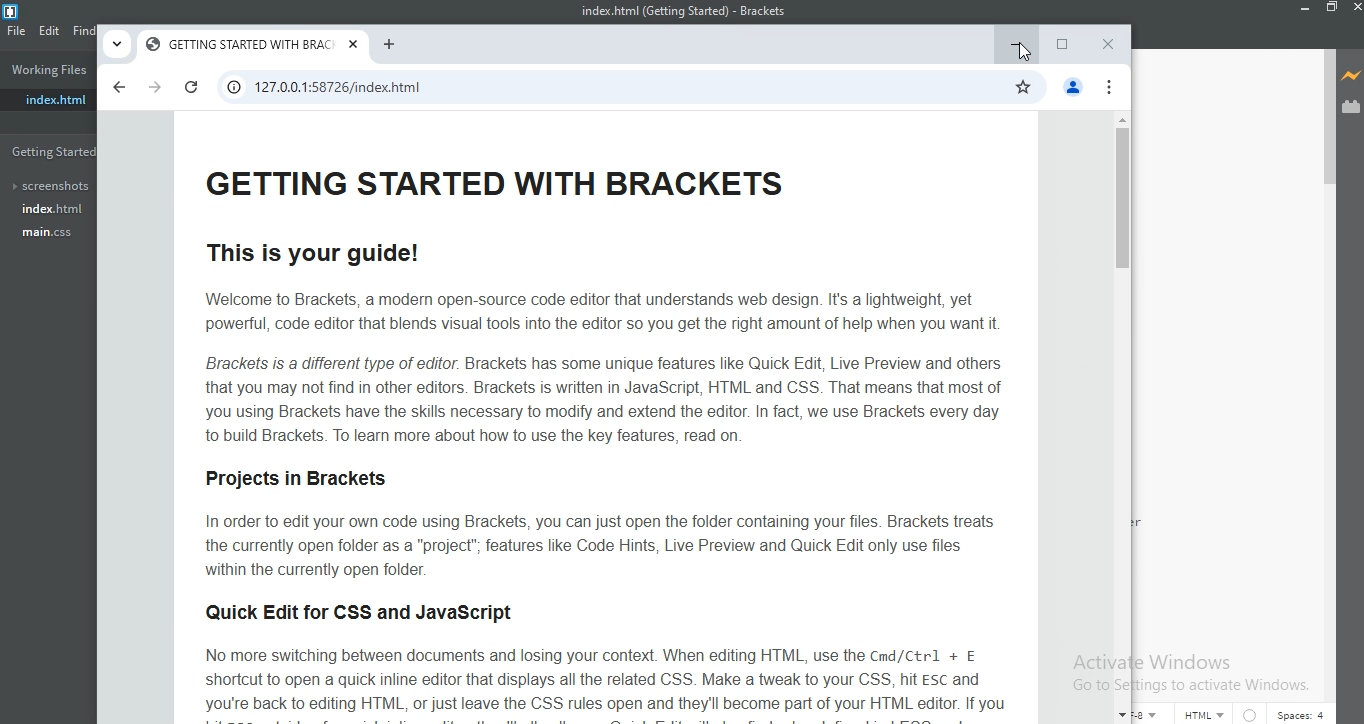  Describe the element at coordinates (1073, 89) in the screenshot. I see `profile` at that location.